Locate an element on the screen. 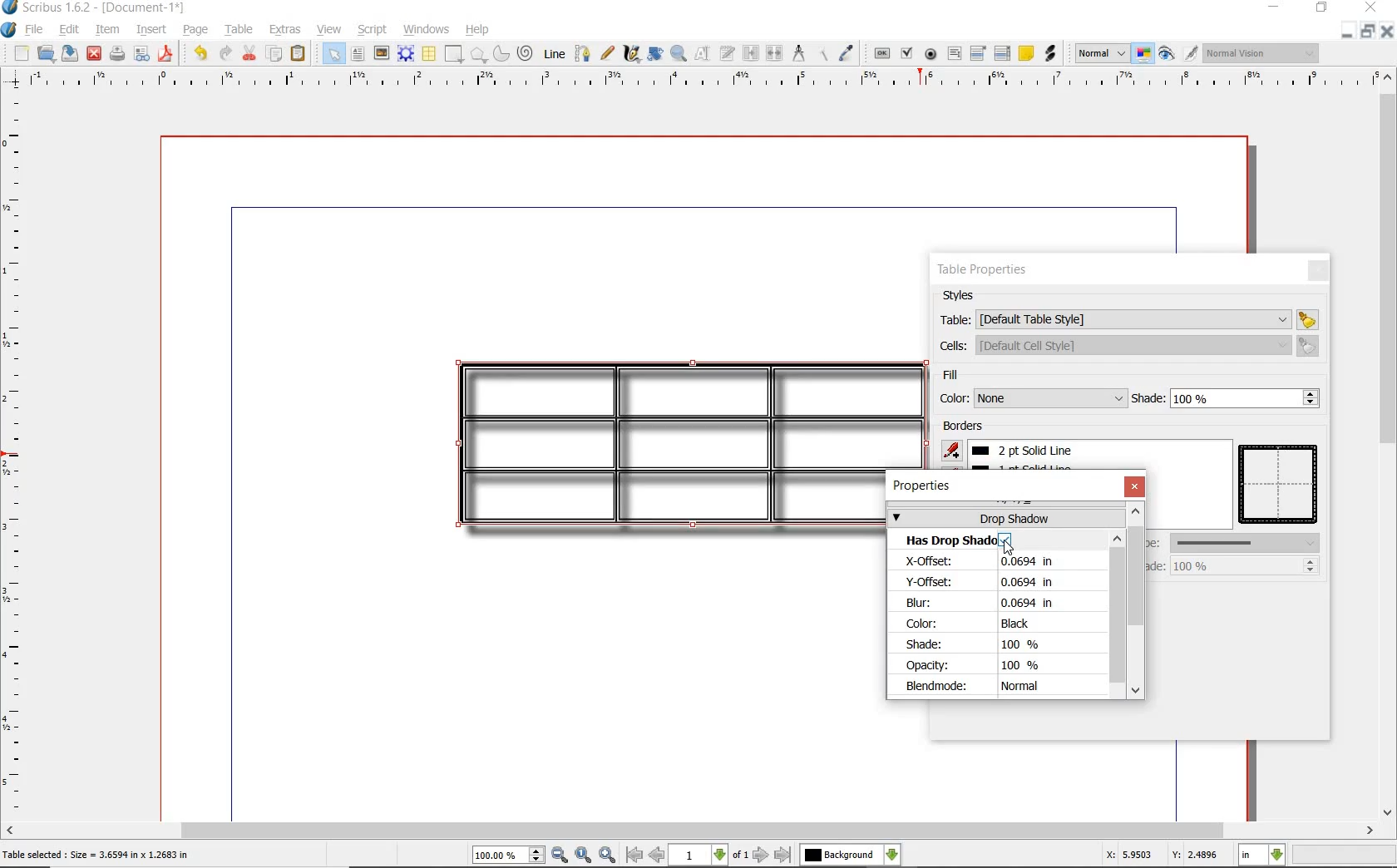 This screenshot has height=868, width=1397. MINIMIZE is located at coordinates (1348, 31).